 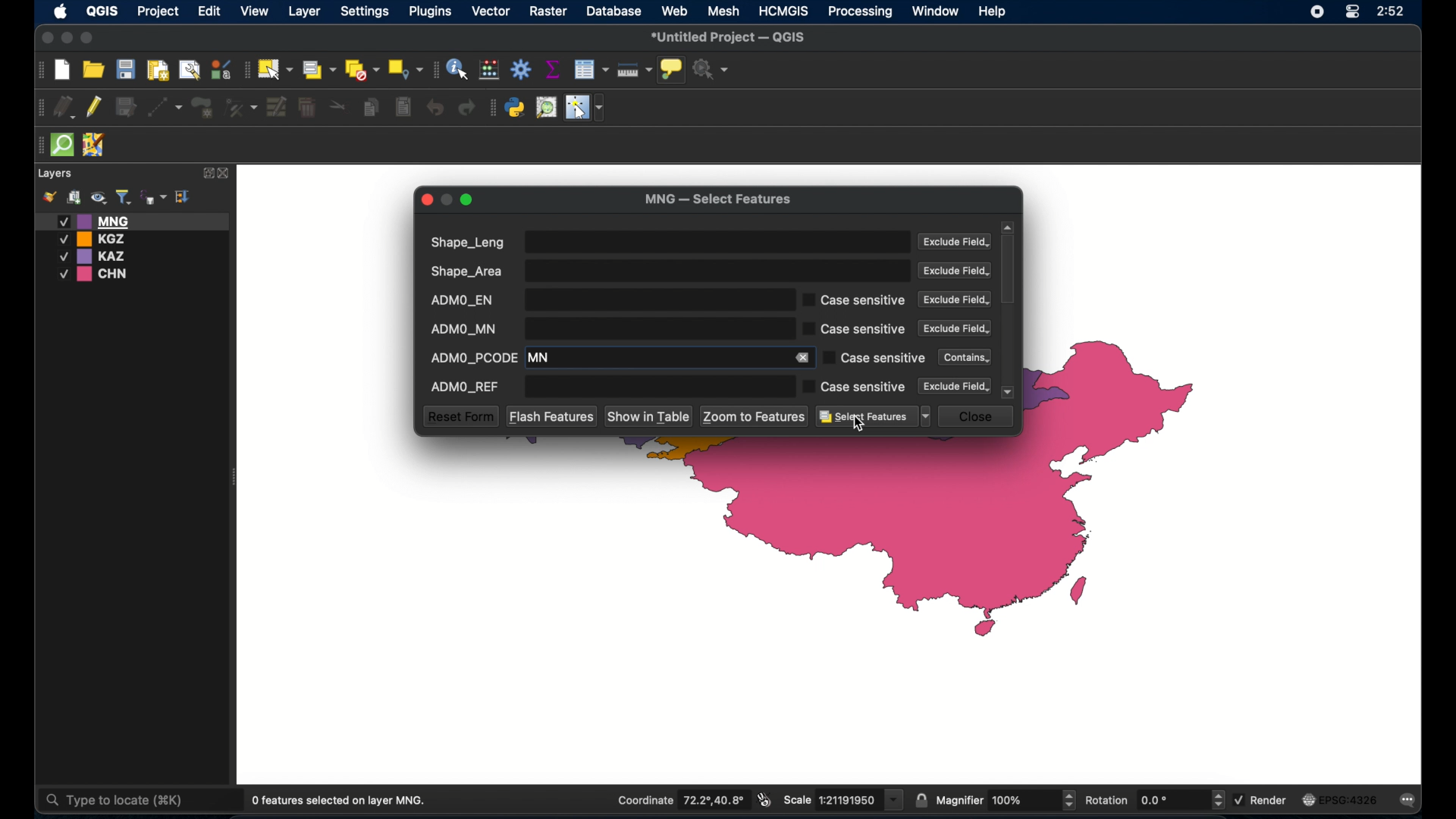 What do you see at coordinates (39, 106) in the screenshot?
I see `drag handle` at bounding box center [39, 106].